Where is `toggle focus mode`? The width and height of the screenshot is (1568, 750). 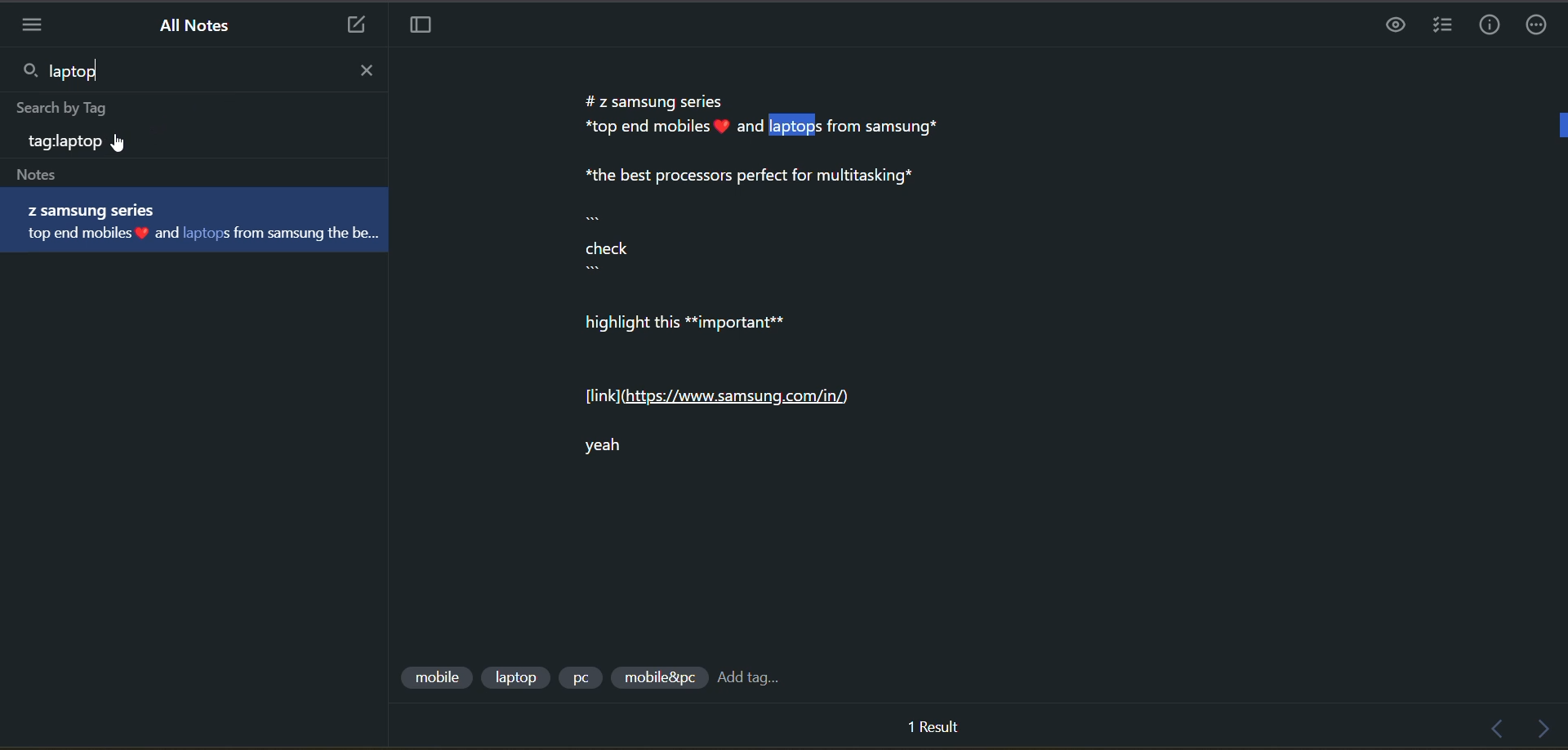 toggle focus mode is located at coordinates (426, 29).